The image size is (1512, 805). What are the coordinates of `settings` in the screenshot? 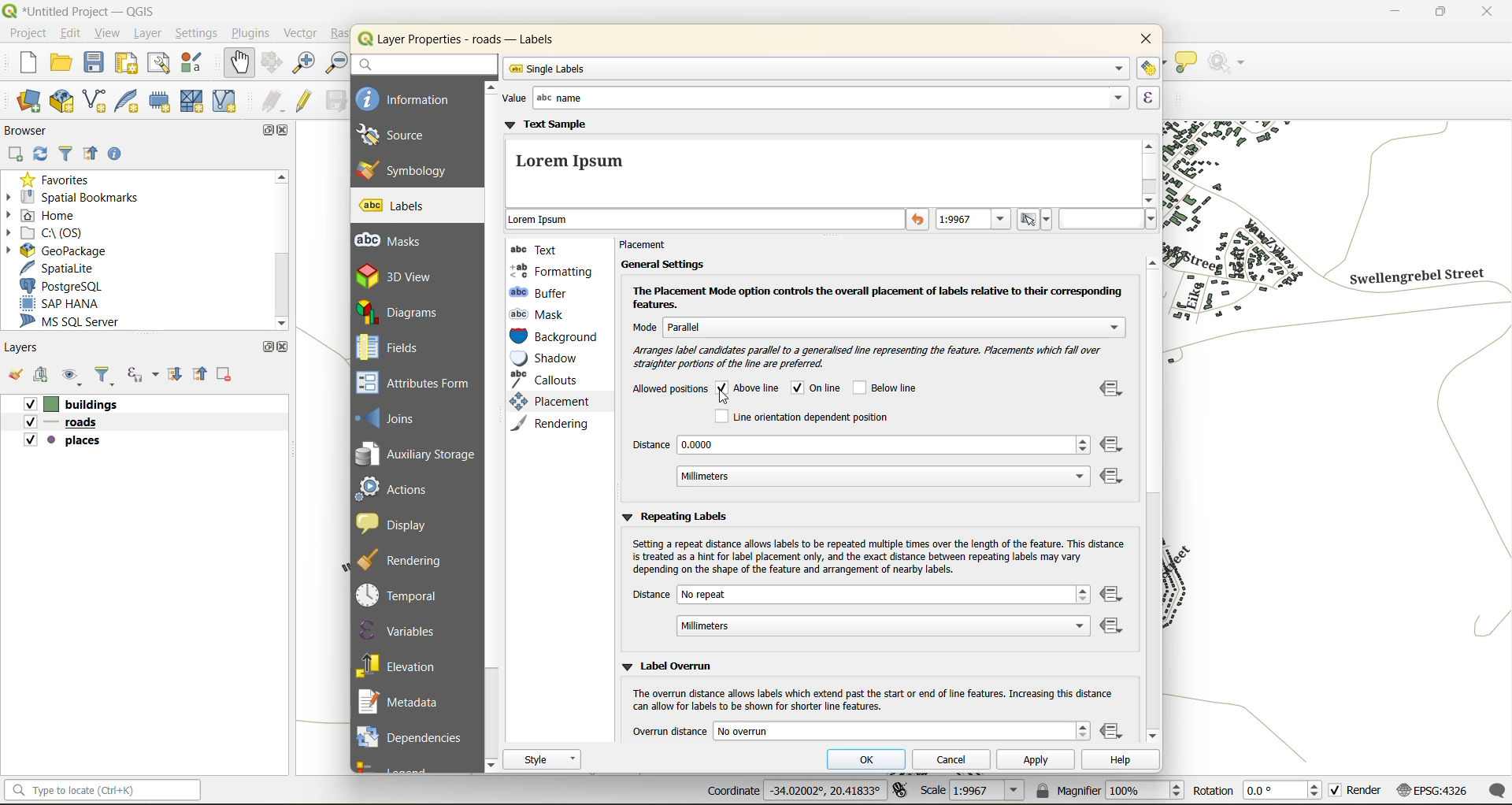 It's located at (197, 35).